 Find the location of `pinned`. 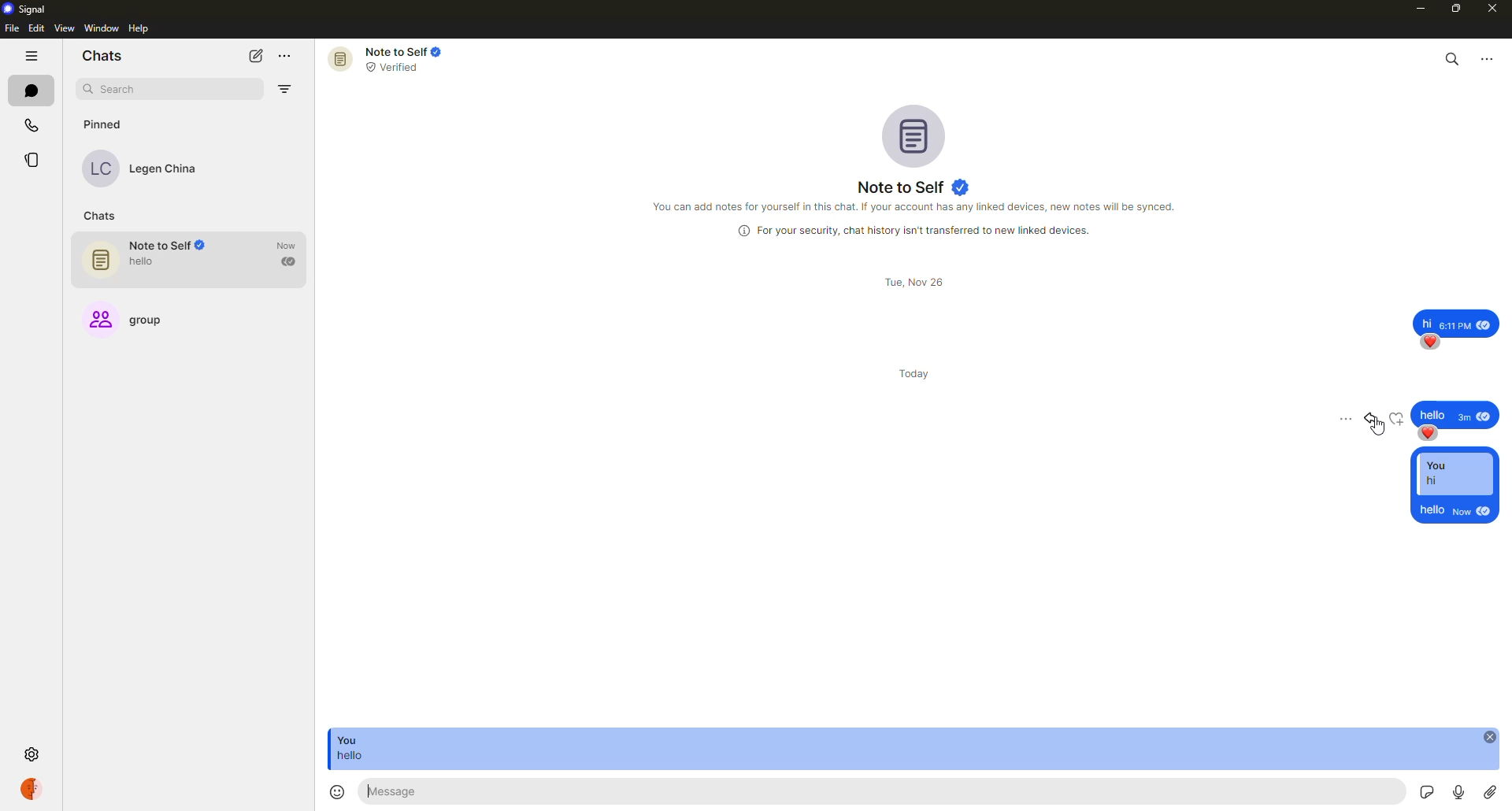

pinned is located at coordinates (103, 126).